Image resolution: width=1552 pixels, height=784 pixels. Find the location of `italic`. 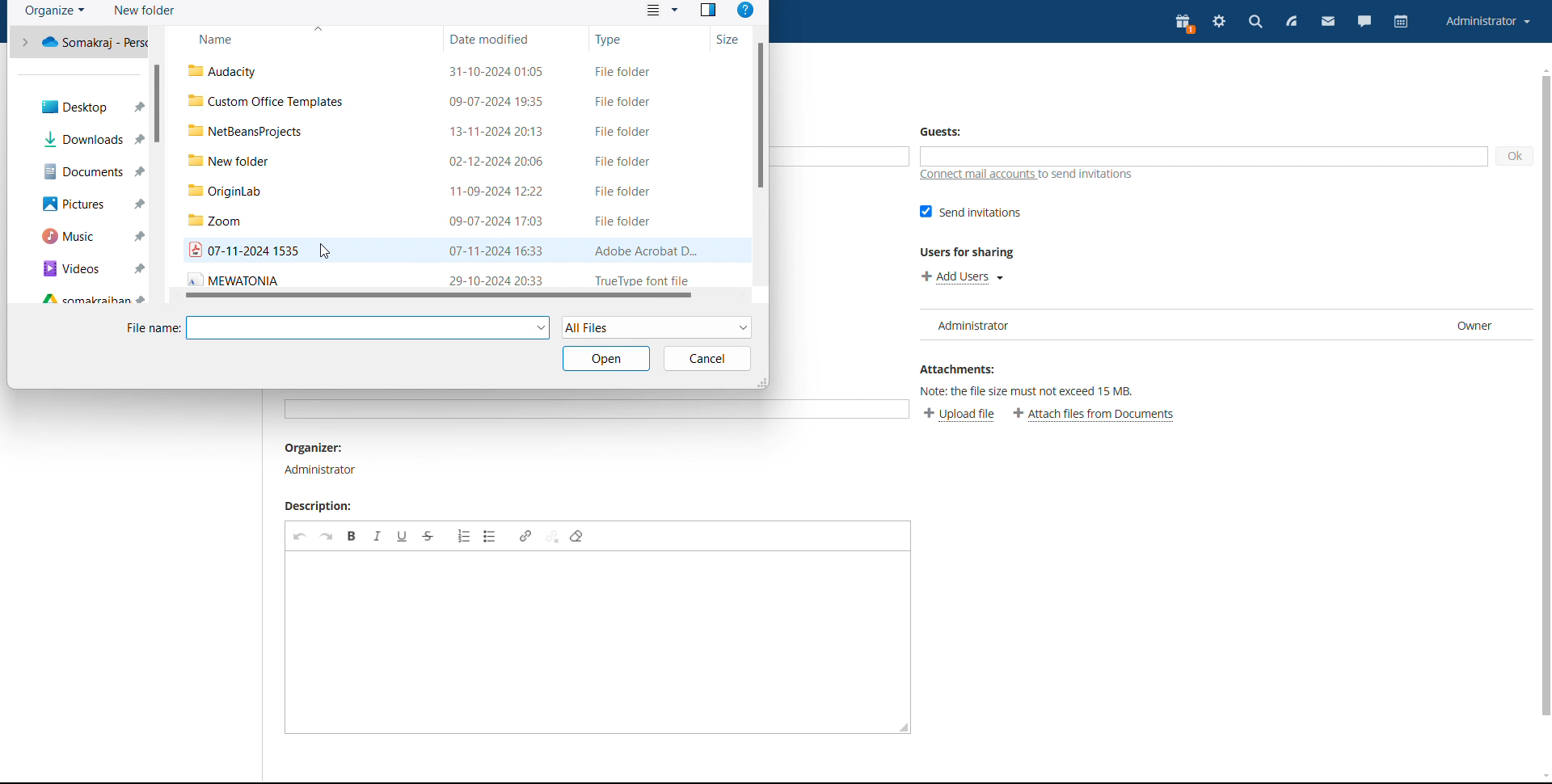

italic is located at coordinates (377, 536).